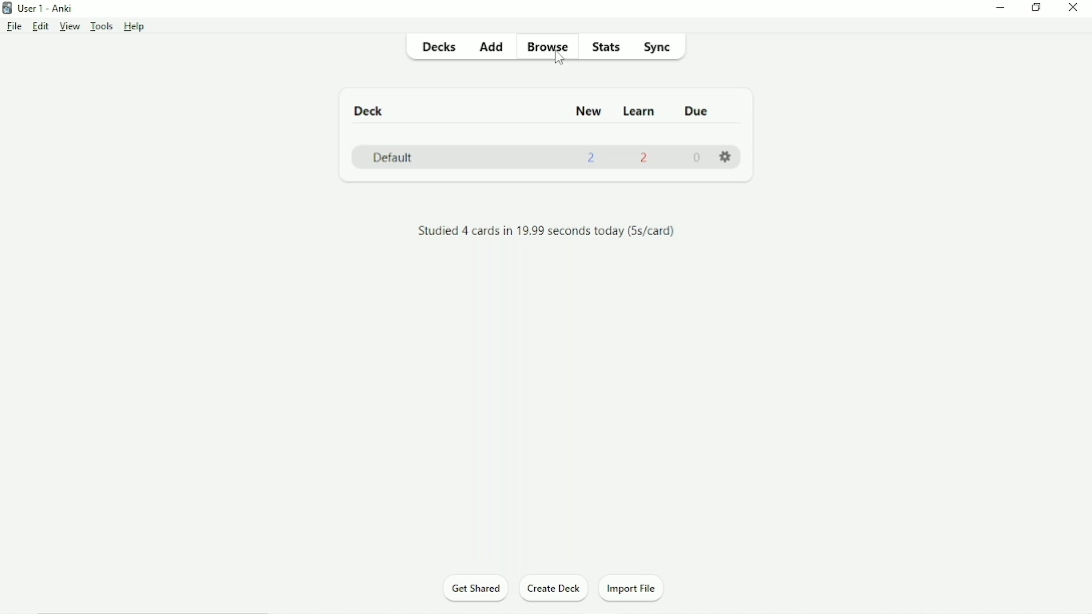 The width and height of the screenshot is (1092, 614). What do you see at coordinates (661, 47) in the screenshot?
I see `Sync` at bounding box center [661, 47].